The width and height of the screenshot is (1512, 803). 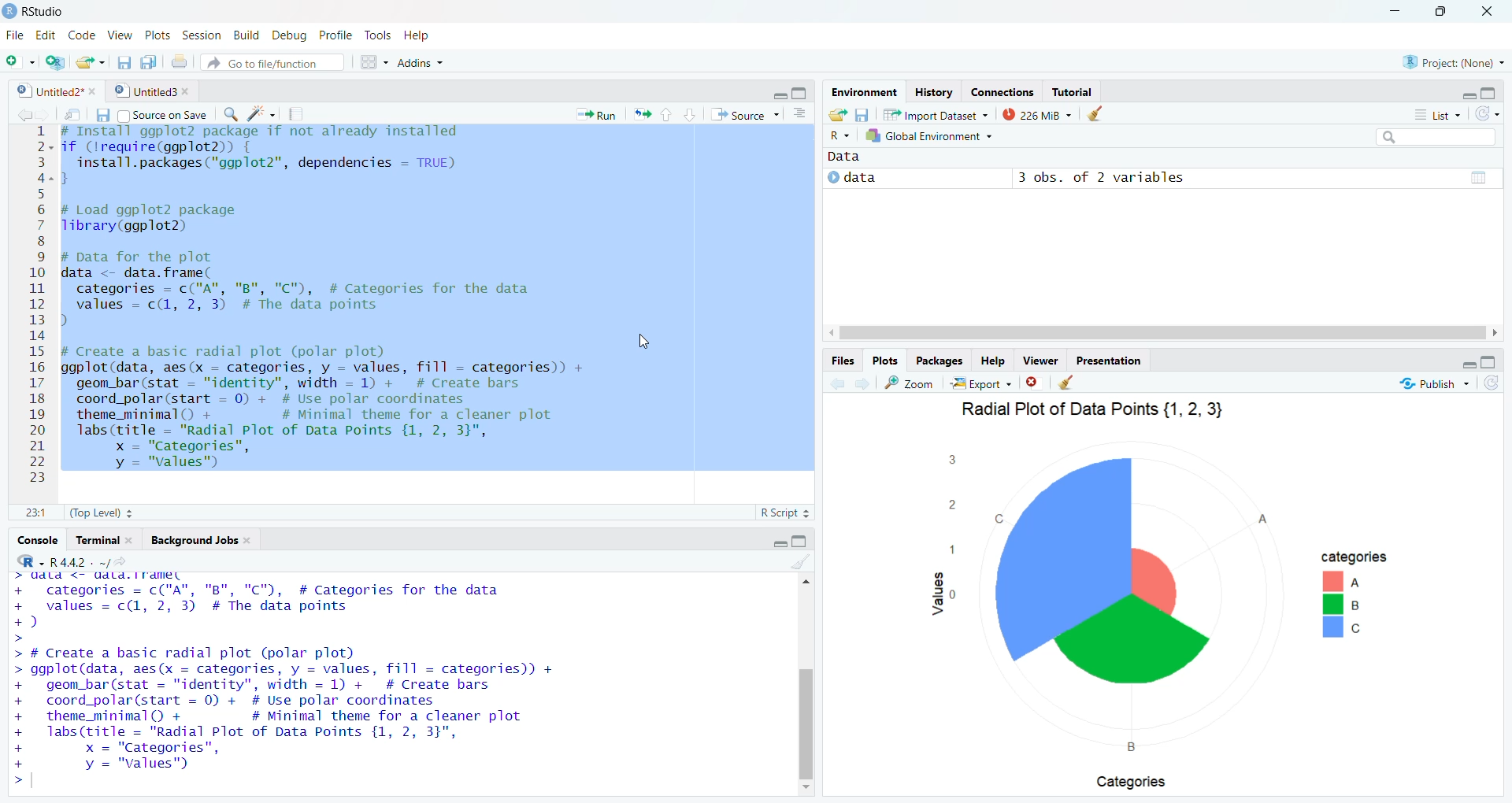 What do you see at coordinates (1435, 384) in the screenshot?
I see `Publish ` at bounding box center [1435, 384].